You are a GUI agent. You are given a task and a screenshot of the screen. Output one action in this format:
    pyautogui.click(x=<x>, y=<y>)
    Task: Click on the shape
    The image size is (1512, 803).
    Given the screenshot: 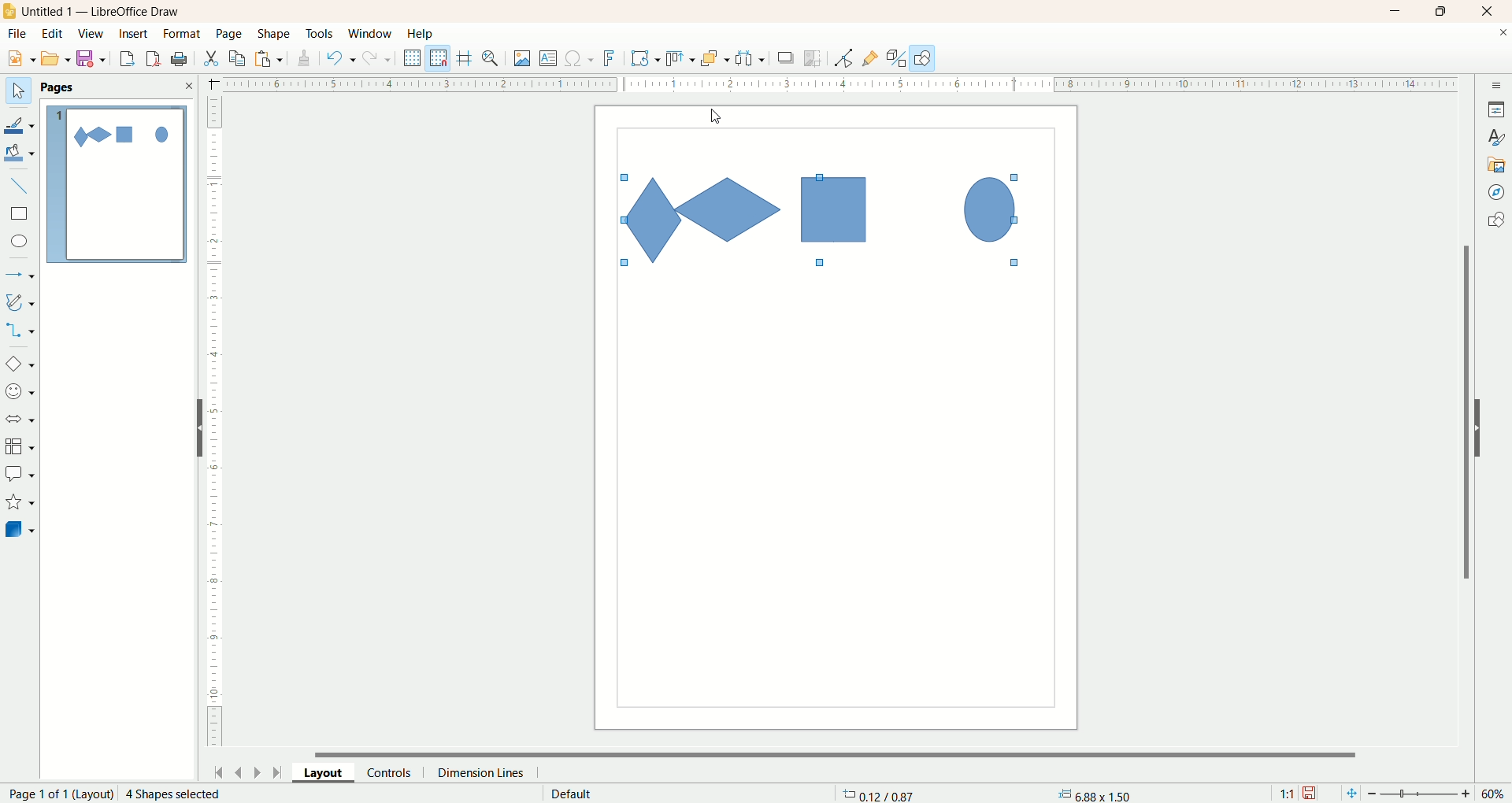 What is the action you would take?
    pyautogui.click(x=275, y=35)
    